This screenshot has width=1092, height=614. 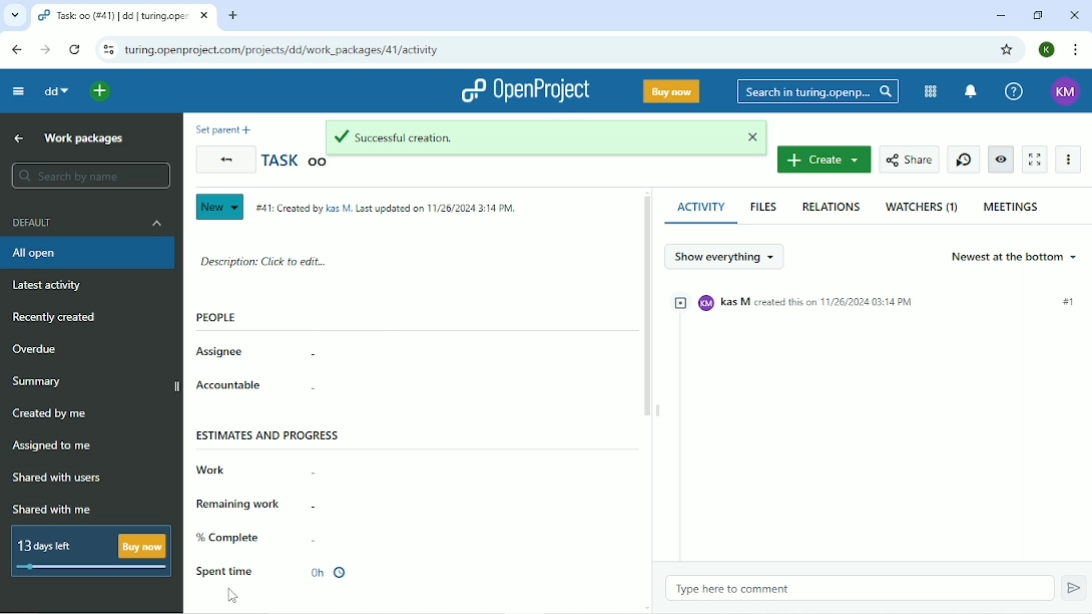 What do you see at coordinates (527, 91) in the screenshot?
I see `OpenProject` at bounding box center [527, 91].